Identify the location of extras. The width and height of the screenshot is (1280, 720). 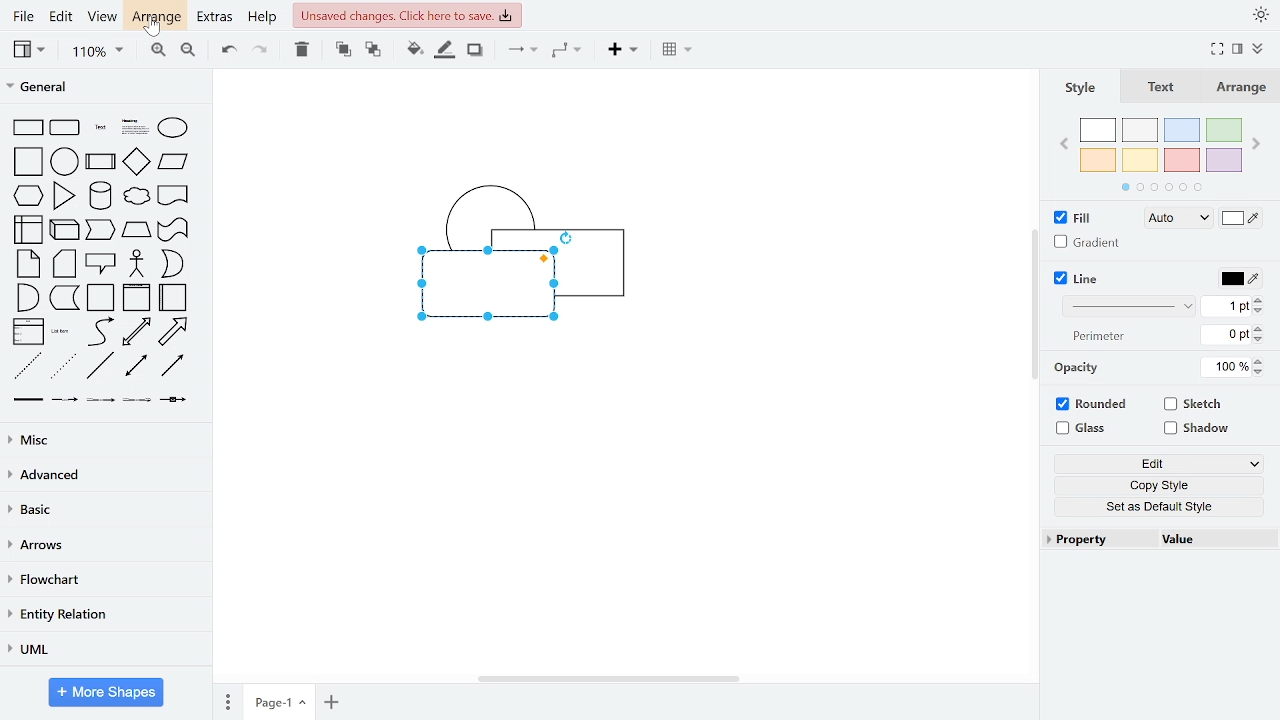
(216, 20).